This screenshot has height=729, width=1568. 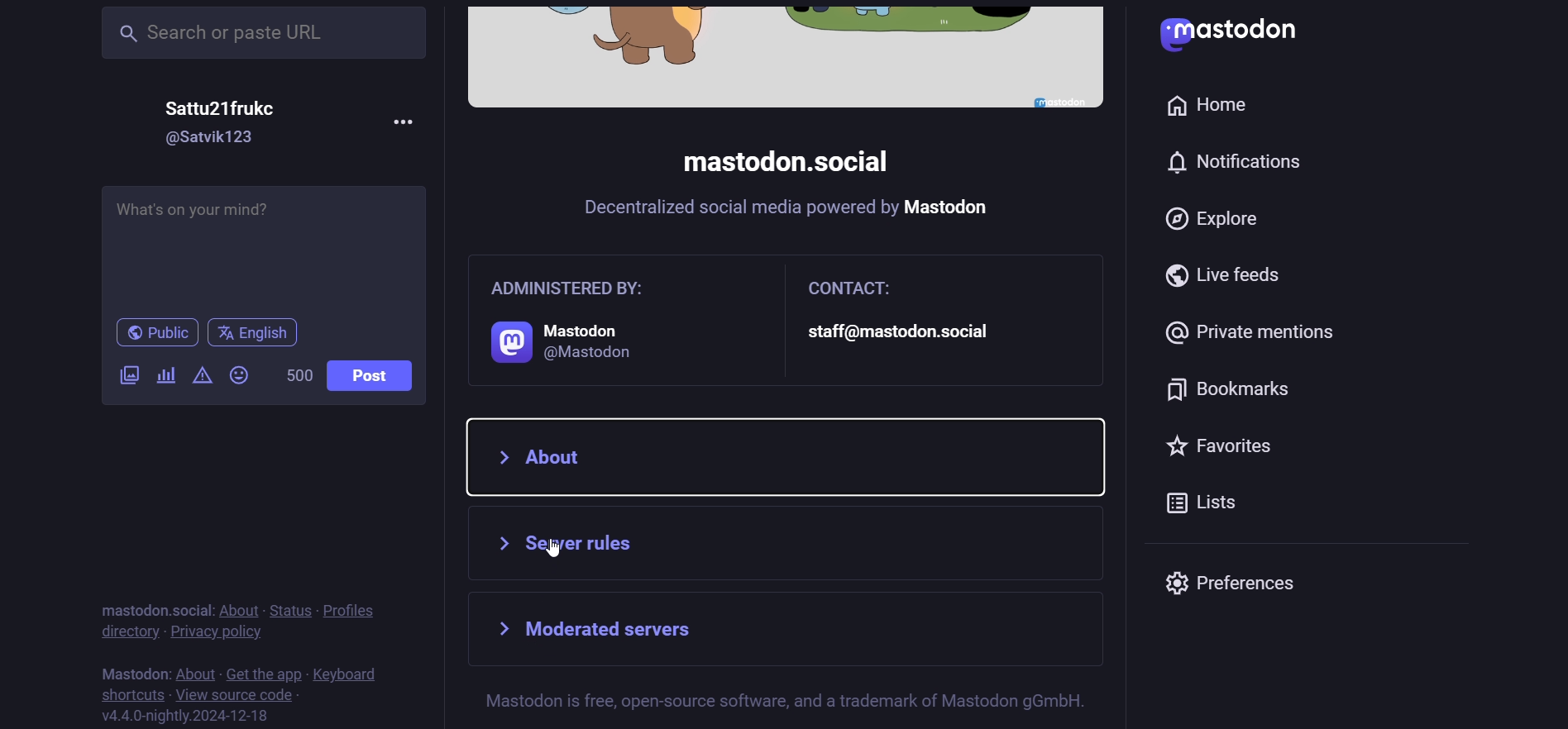 What do you see at coordinates (353, 608) in the screenshot?
I see `profiles` at bounding box center [353, 608].